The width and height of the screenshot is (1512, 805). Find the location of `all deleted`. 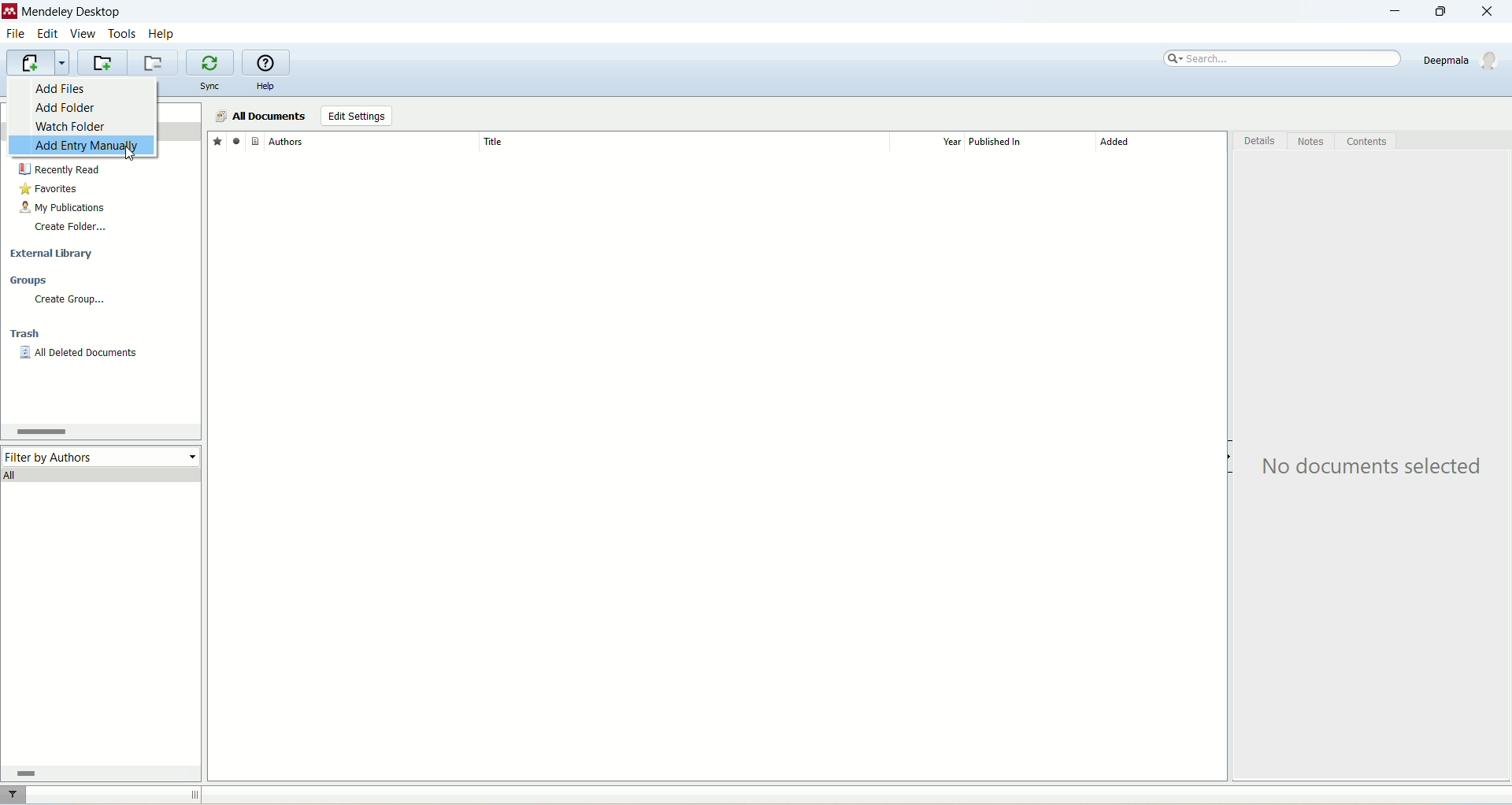

all deleted is located at coordinates (80, 354).